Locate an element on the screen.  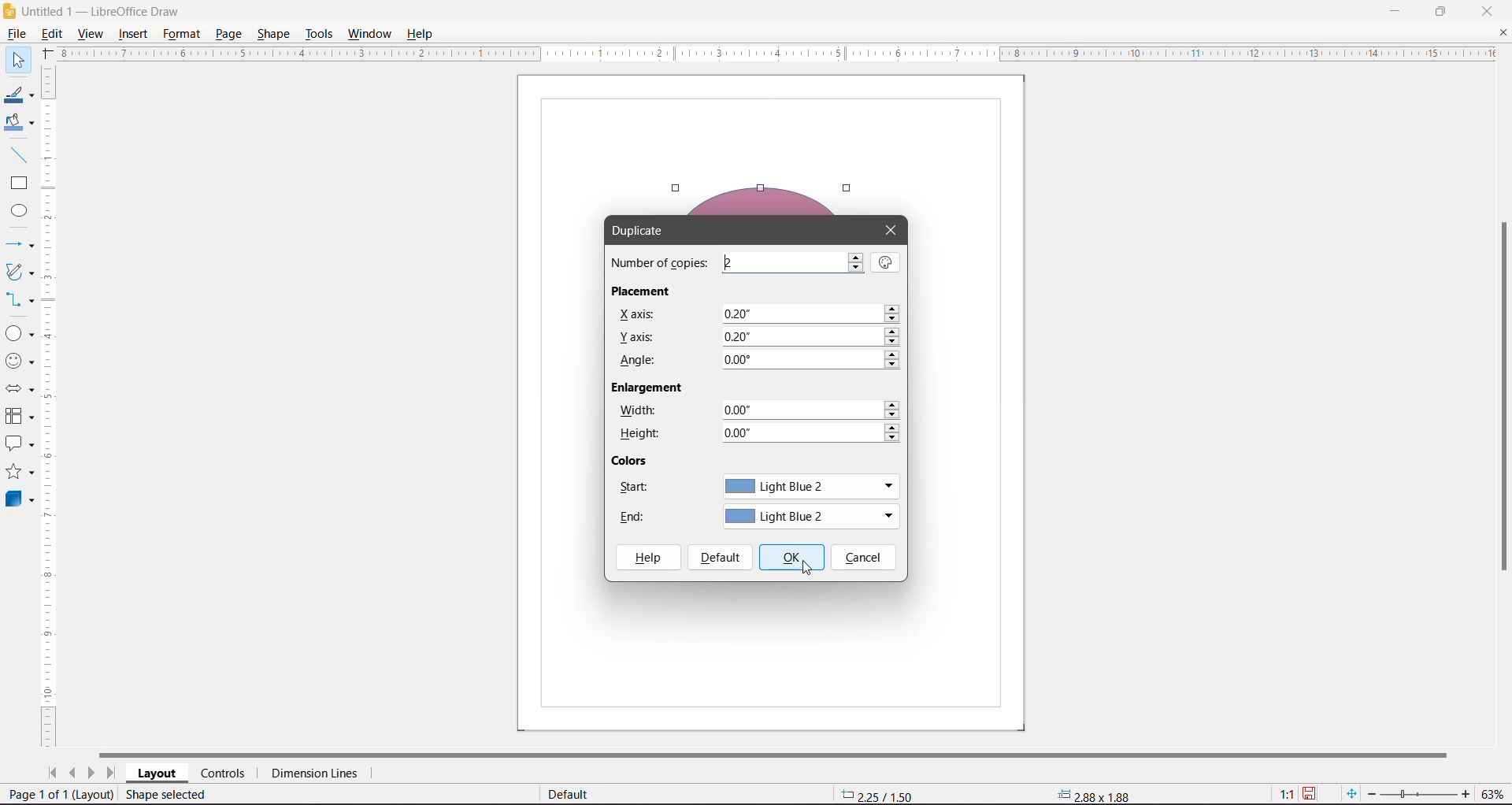
Horizontal Ruler is located at coordinates (773, 54).